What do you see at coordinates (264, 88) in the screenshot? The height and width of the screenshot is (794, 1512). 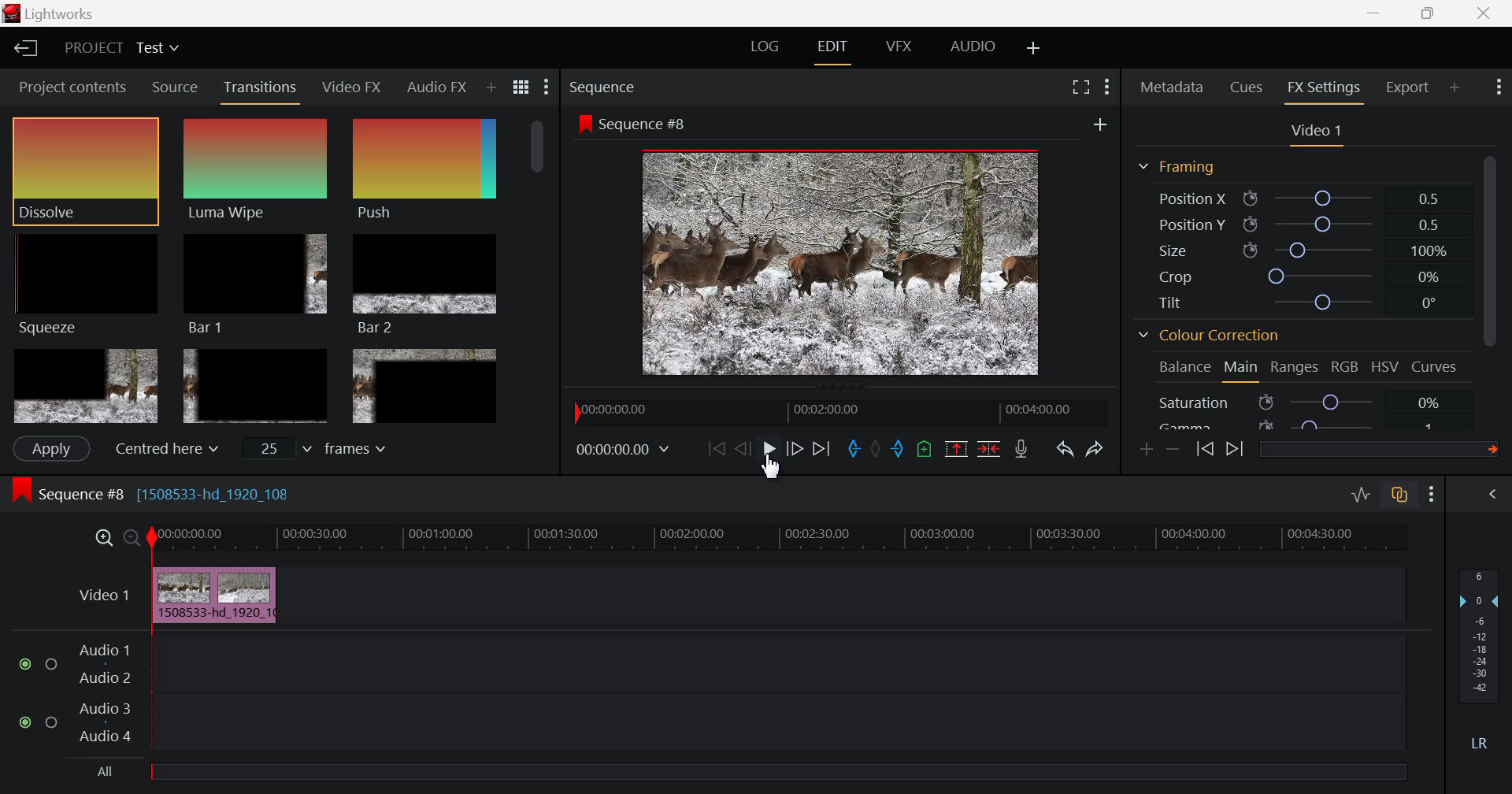 I see `Transitions Tab Open` at bounding box center [264, 88].